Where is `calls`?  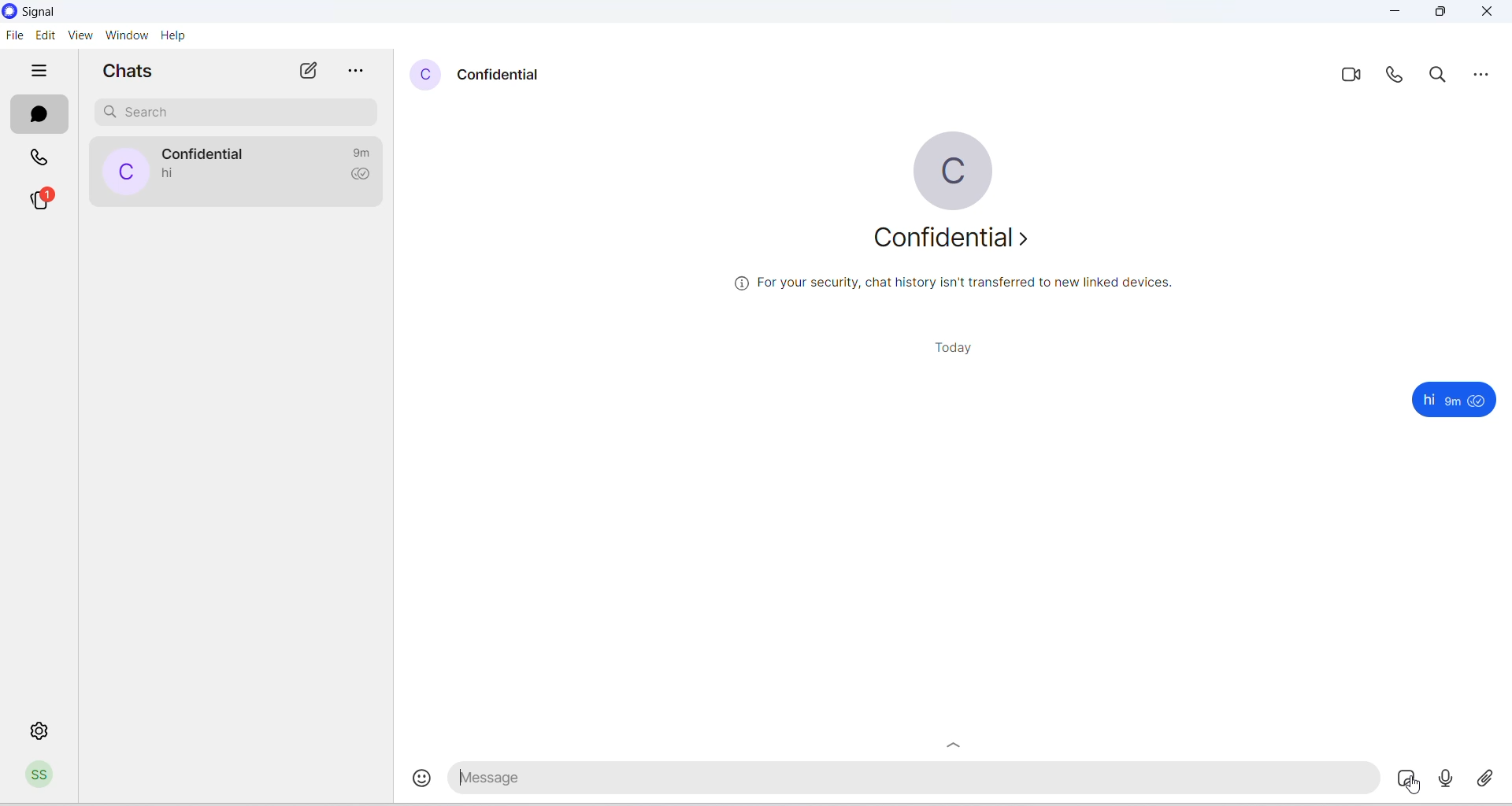
calls is located at coordinates (42, 155).